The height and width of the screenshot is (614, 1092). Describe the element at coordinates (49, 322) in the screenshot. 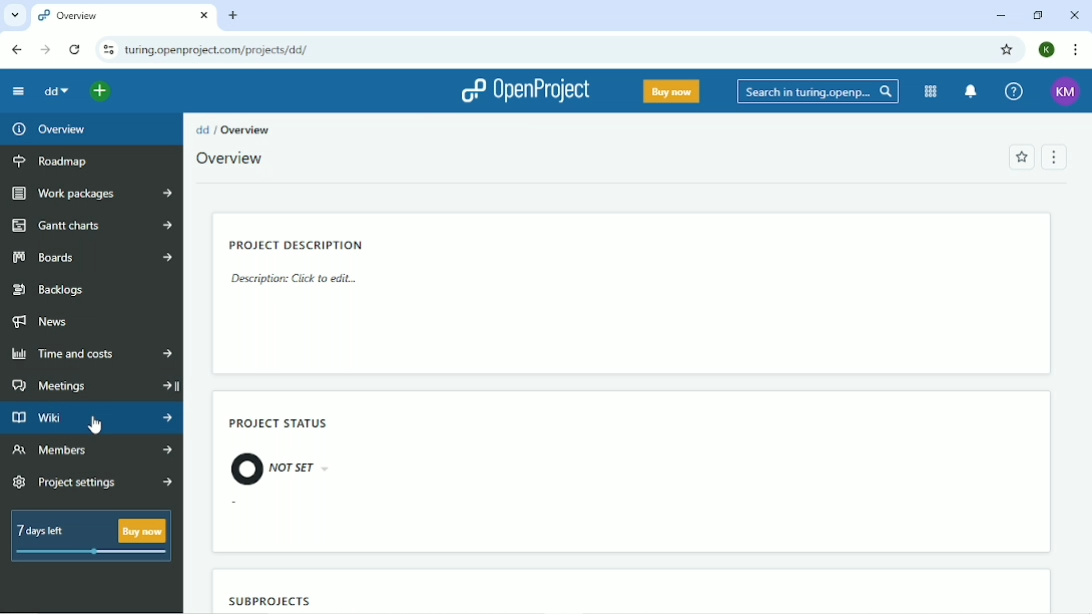

I see `News` at that location.